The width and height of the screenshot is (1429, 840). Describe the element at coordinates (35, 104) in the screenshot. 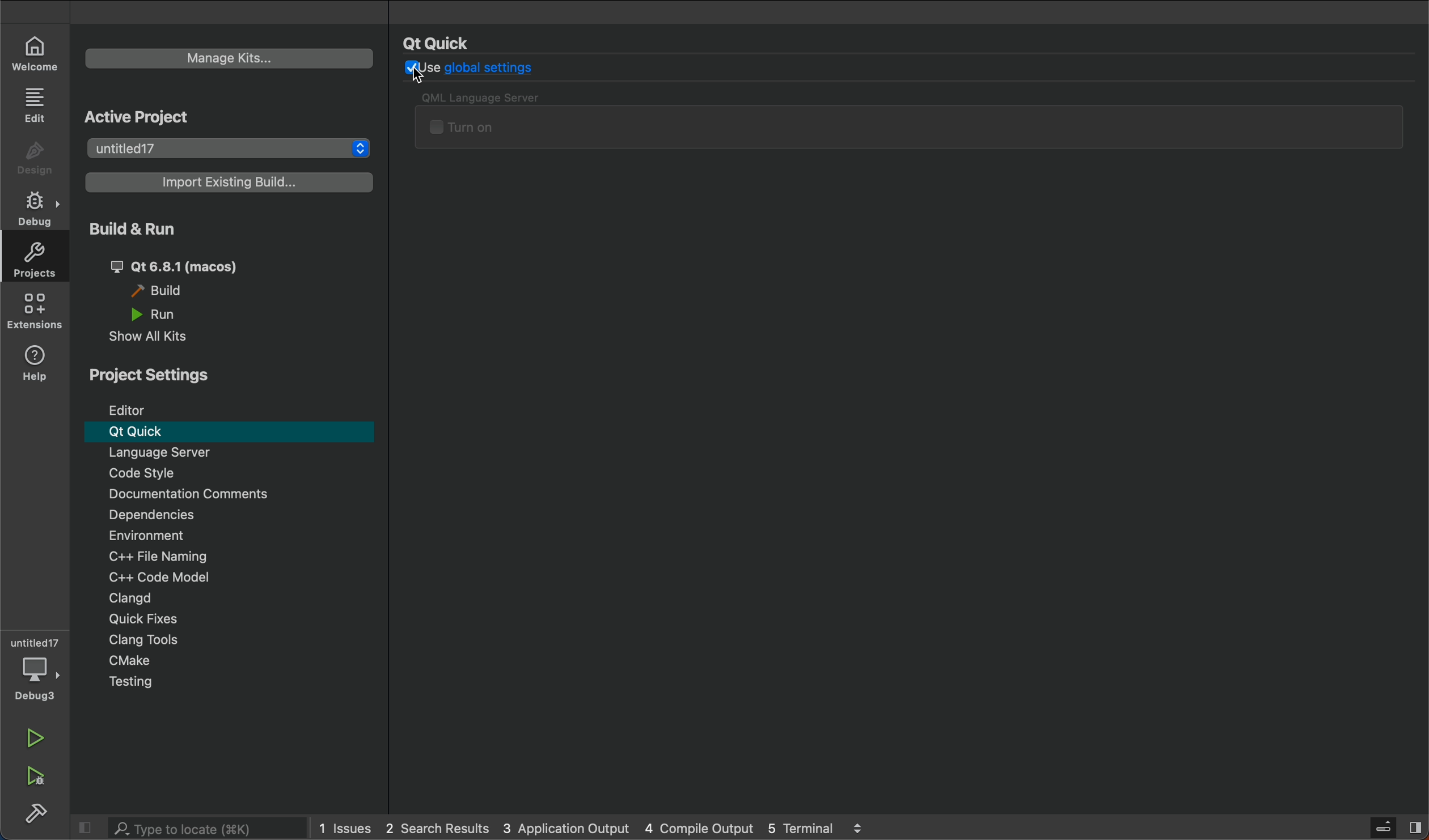

I see `EDIT` at that location.